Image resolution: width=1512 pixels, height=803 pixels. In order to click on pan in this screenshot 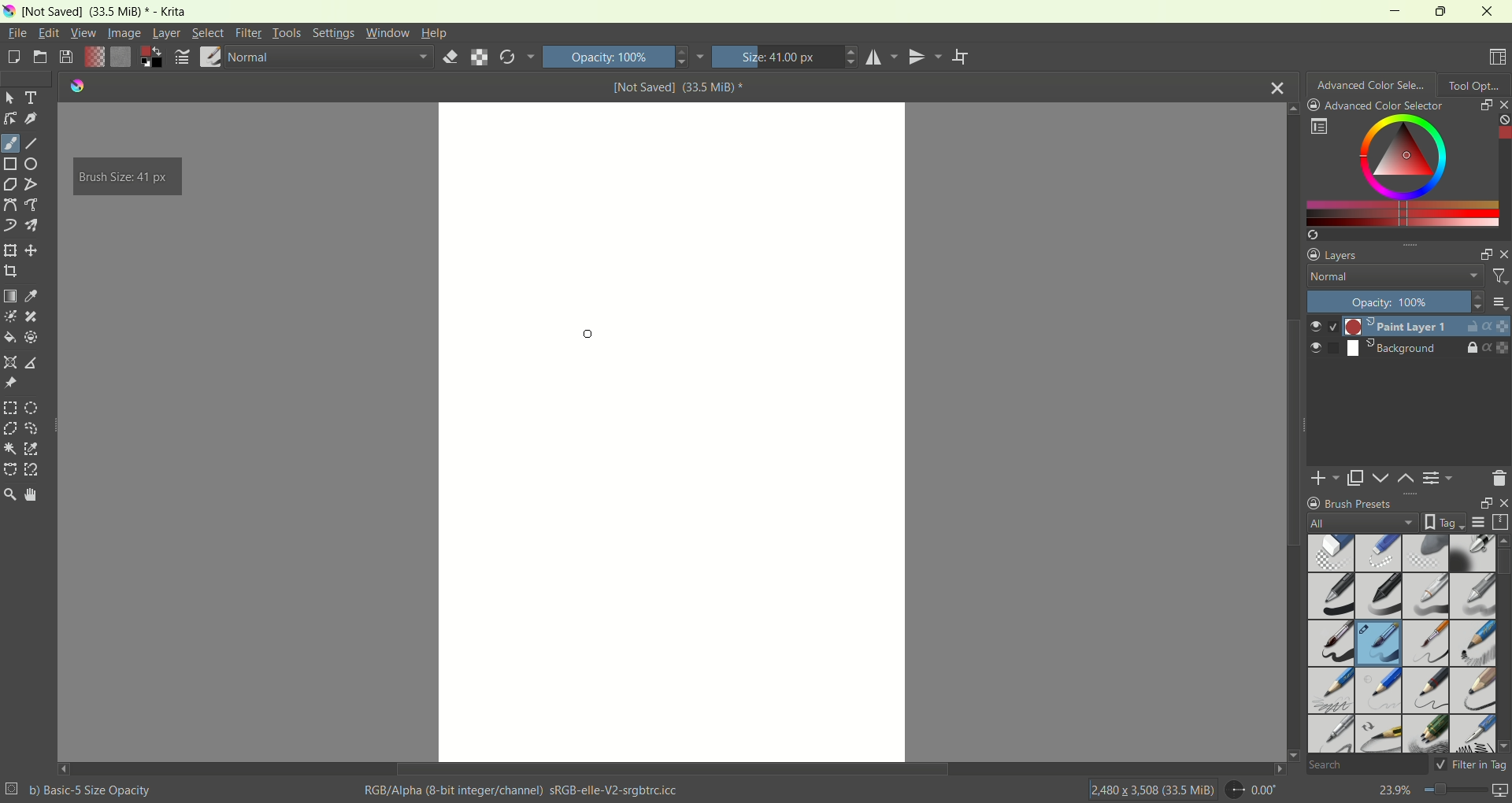, I will do `click(29, 494)`.